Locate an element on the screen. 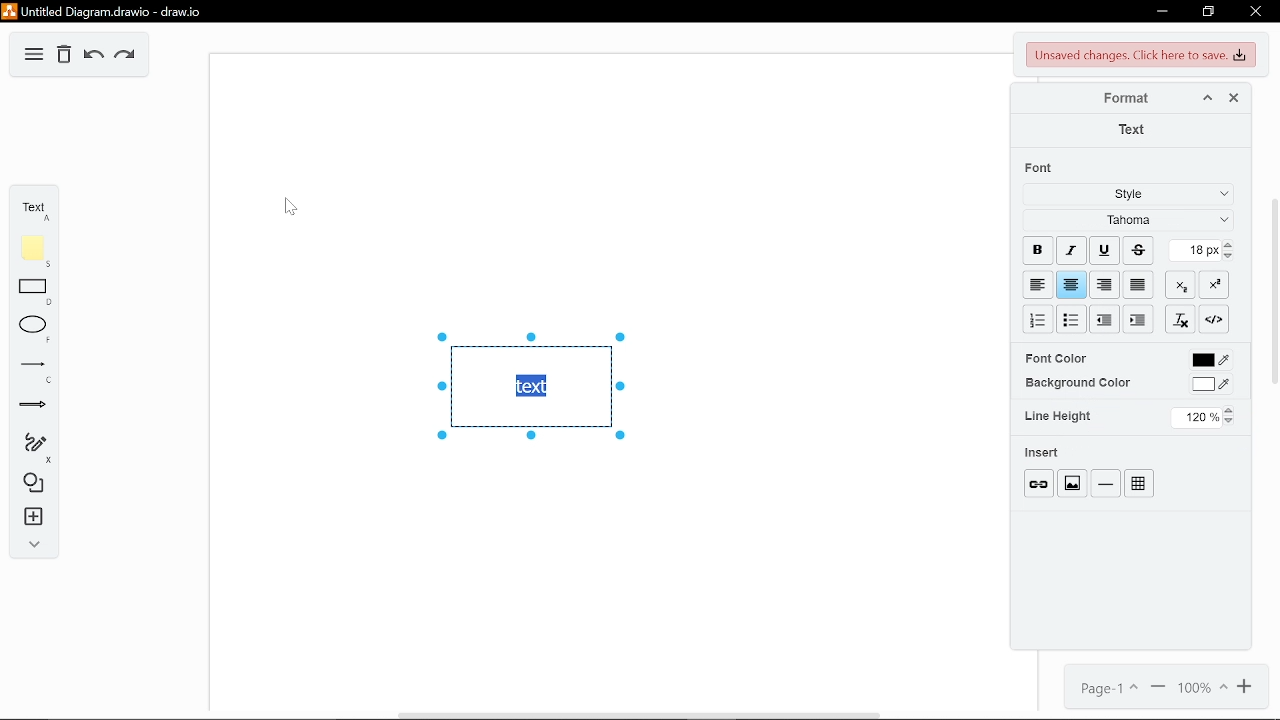  background color is located at coordinates (1077, 383).